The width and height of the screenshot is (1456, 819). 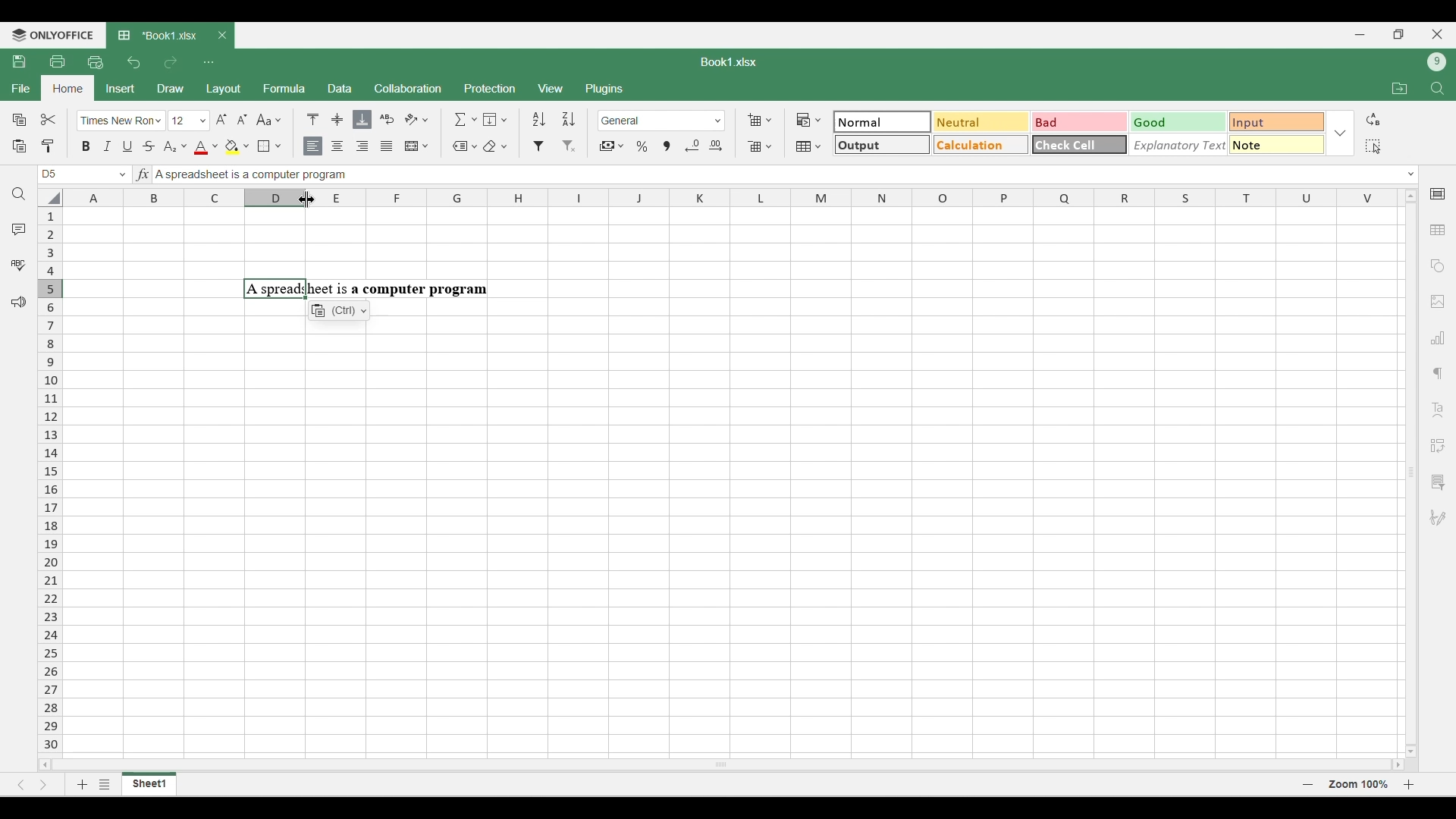 What do you see at coordinates (340, 87) in the screenshot?
I see `Data menu` at bounding box center [340, 87].